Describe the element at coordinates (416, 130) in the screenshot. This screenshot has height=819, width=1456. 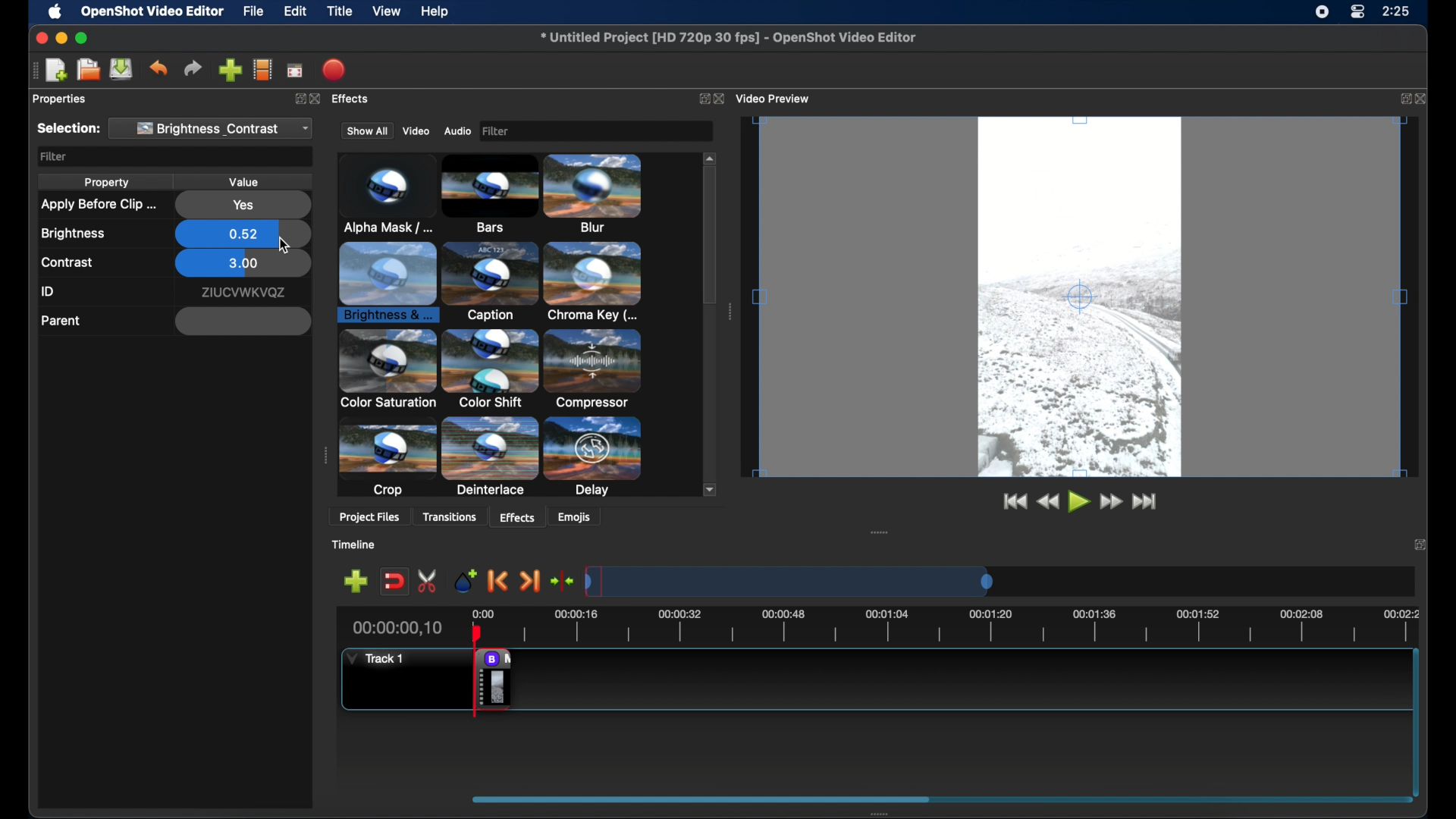
I see `video` at that location.